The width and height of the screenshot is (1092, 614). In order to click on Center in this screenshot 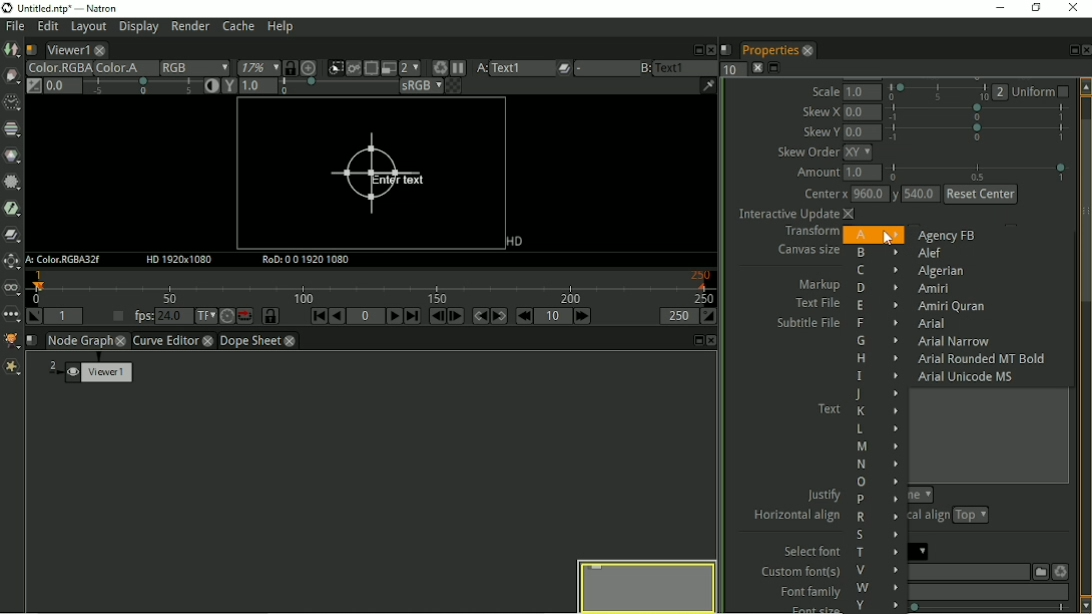, I will do `click(823, 195)`.